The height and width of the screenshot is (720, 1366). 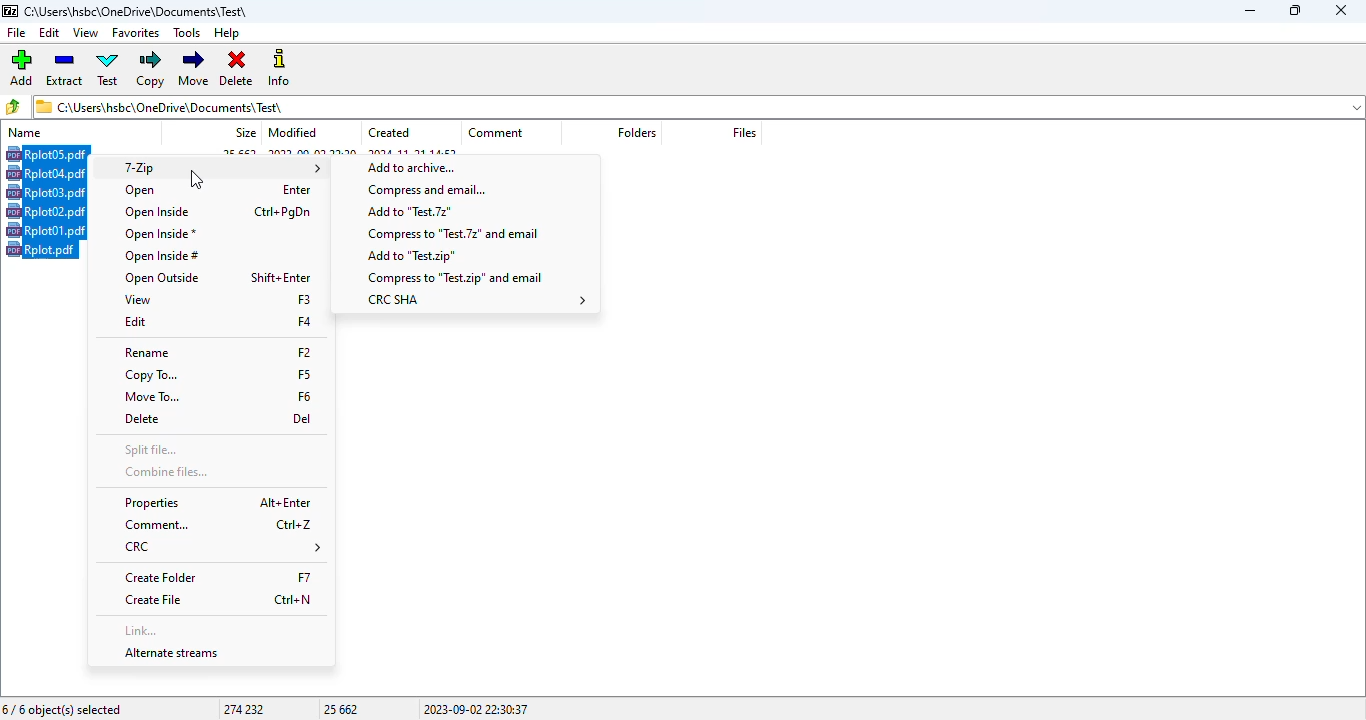 What do you see at coordinates (217, 353) in the screenshot?
I see `rename` at bounding box center [217, 353].